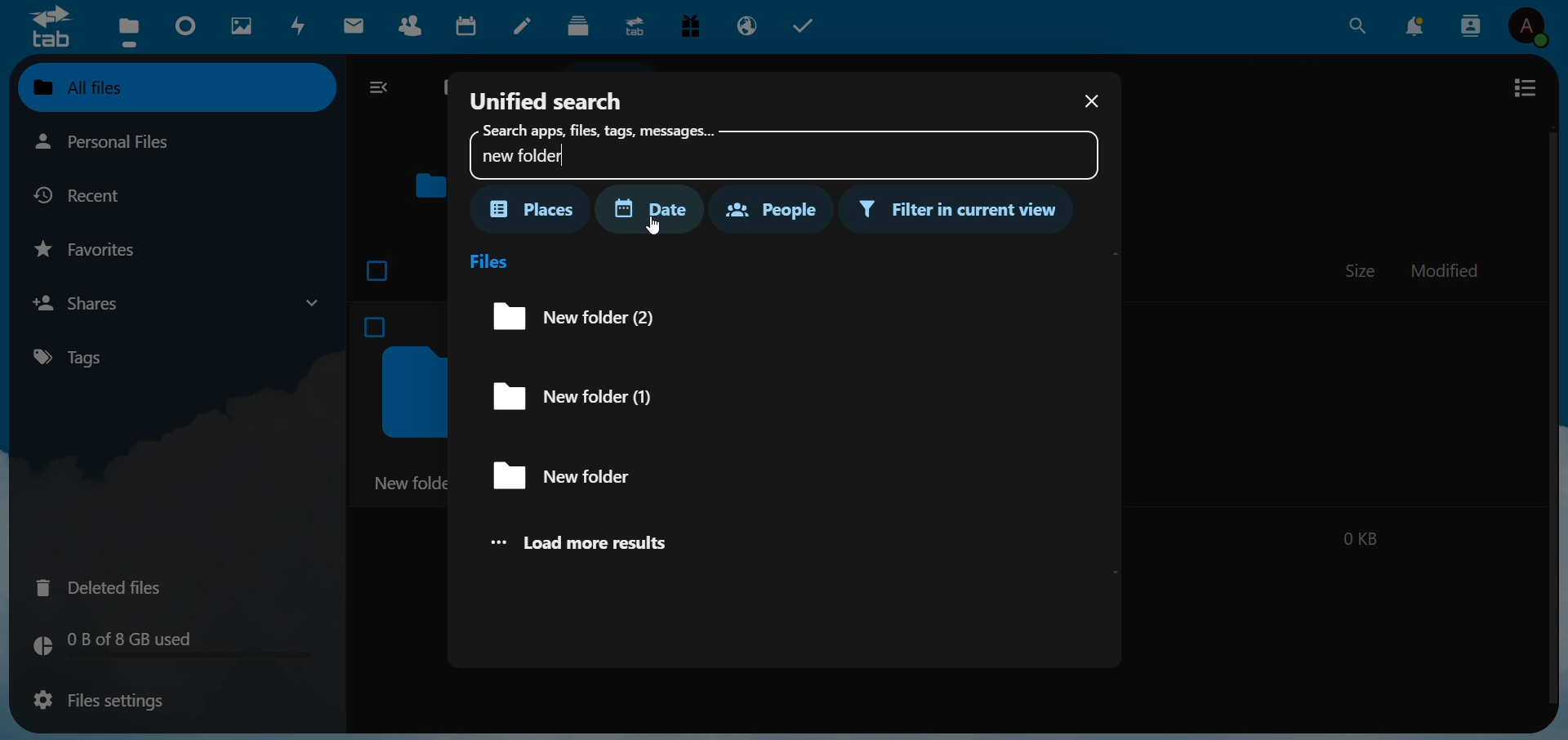 The image size is (1568, 740). What do you see at coordinates (432, 188) in the screenshot?
I see `folder icon` at bounding box center [432, 188].